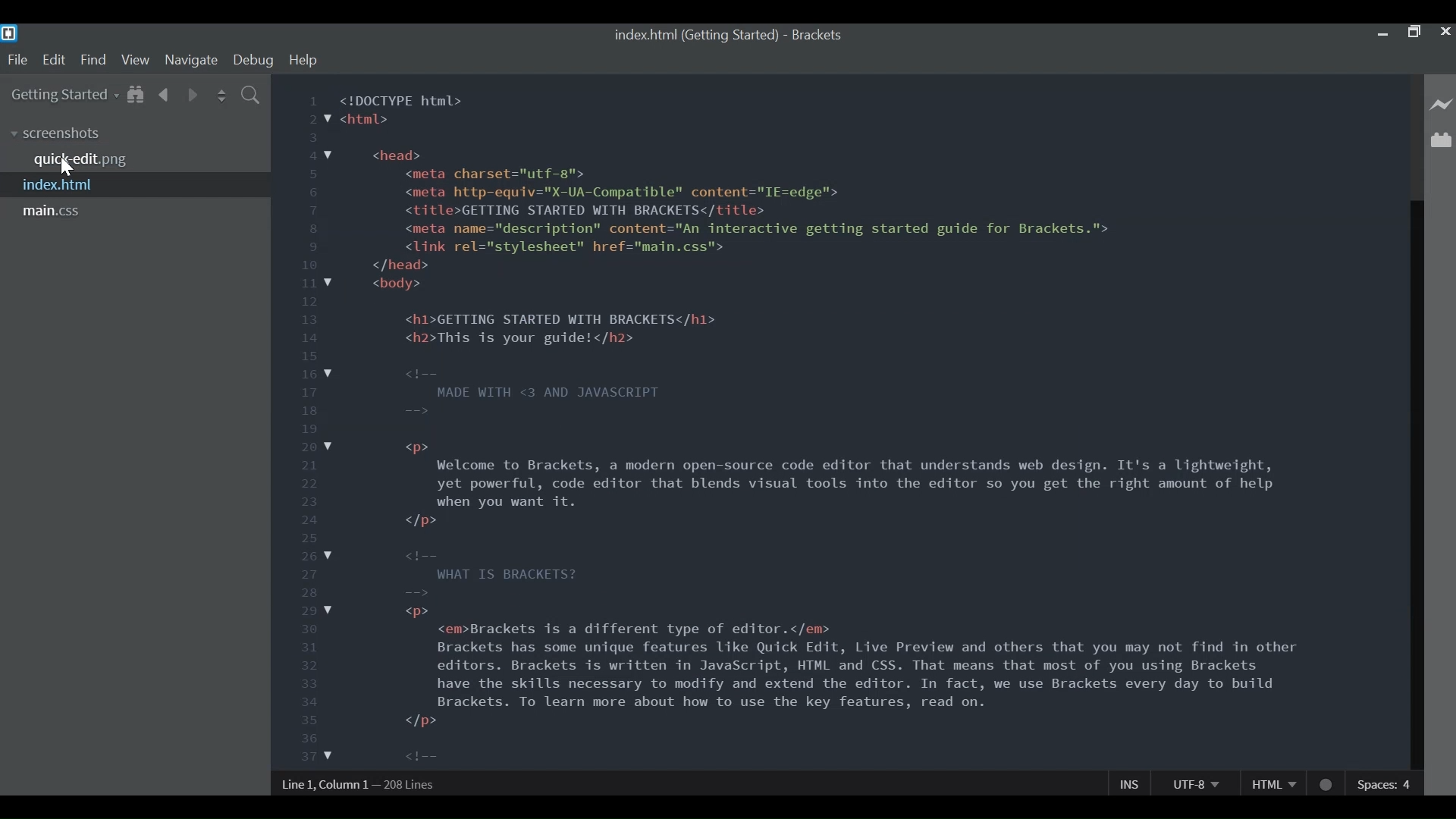 The image size is (1456, 819). What do you see at coordinates (1131, 785) in the screenshot?
I see `Insert` at bounding box center [1131, 785].